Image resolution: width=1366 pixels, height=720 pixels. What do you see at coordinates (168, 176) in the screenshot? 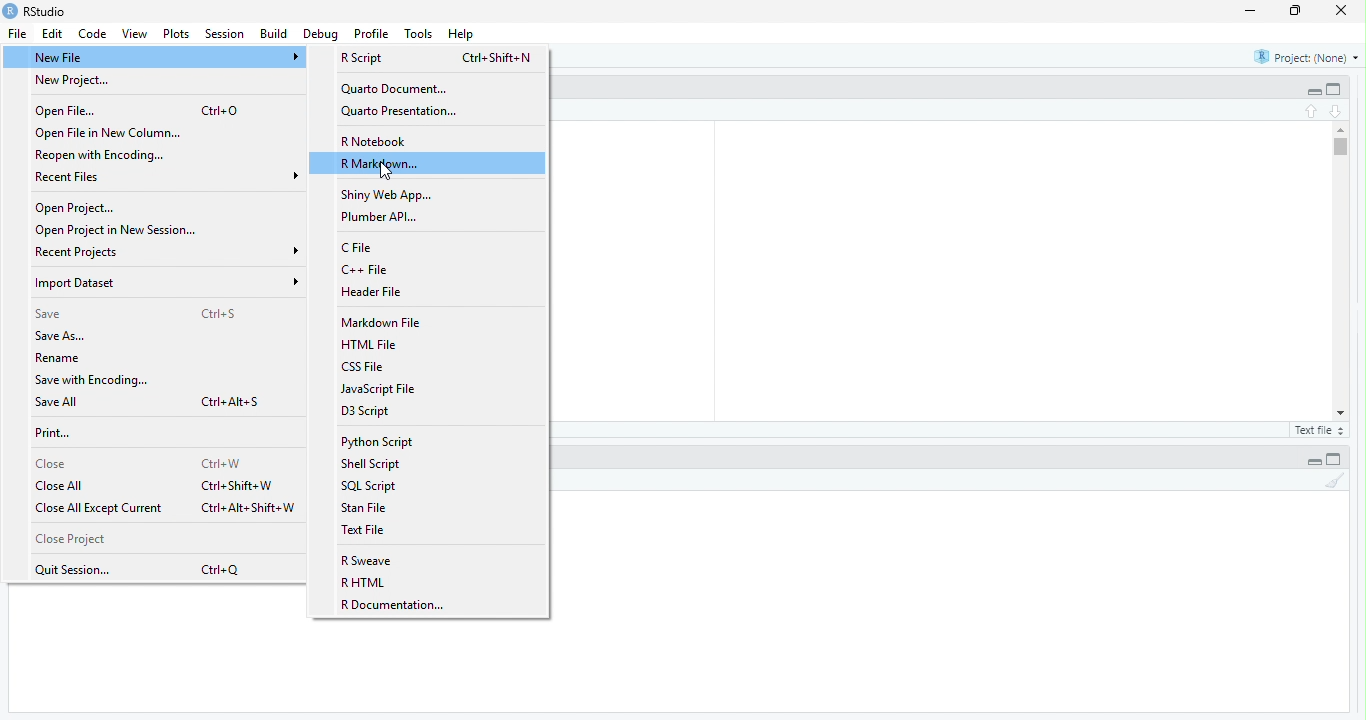
I see `Recent Files` at bounding box center [168, 176].